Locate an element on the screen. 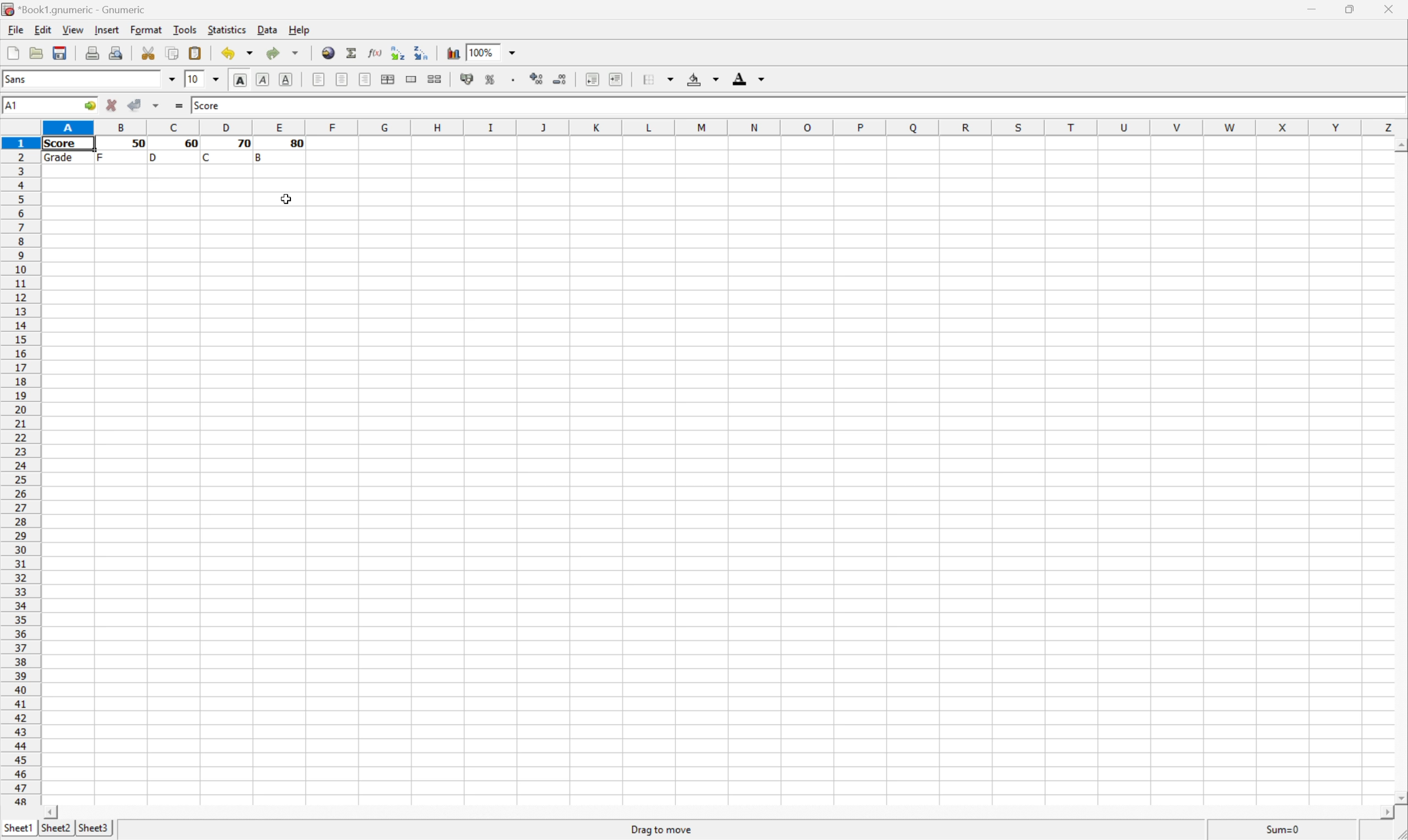  Format the selection as accounting is located at coordinates (462, 81).